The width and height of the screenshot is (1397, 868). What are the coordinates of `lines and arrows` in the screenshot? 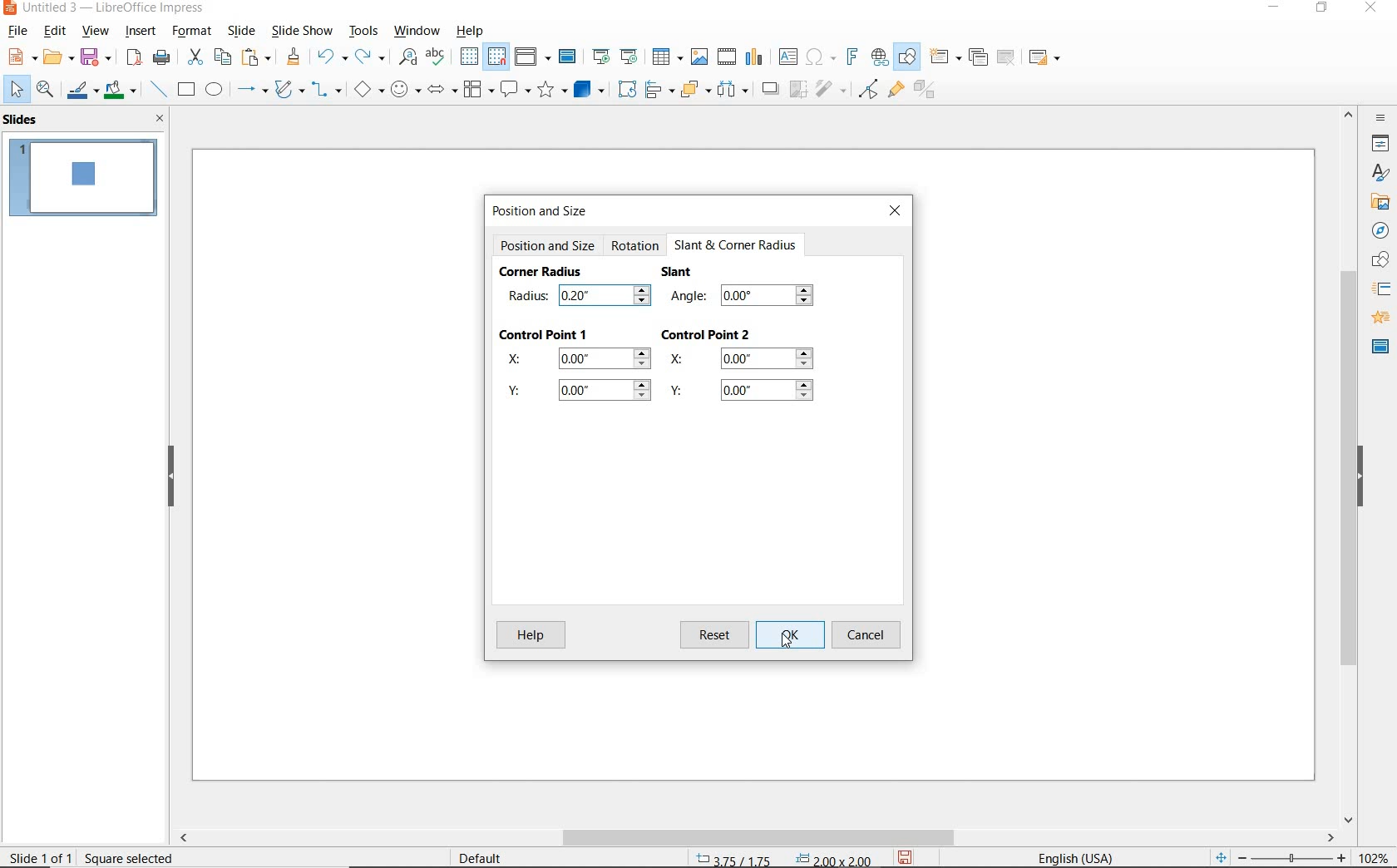 It's located at (251, 90).